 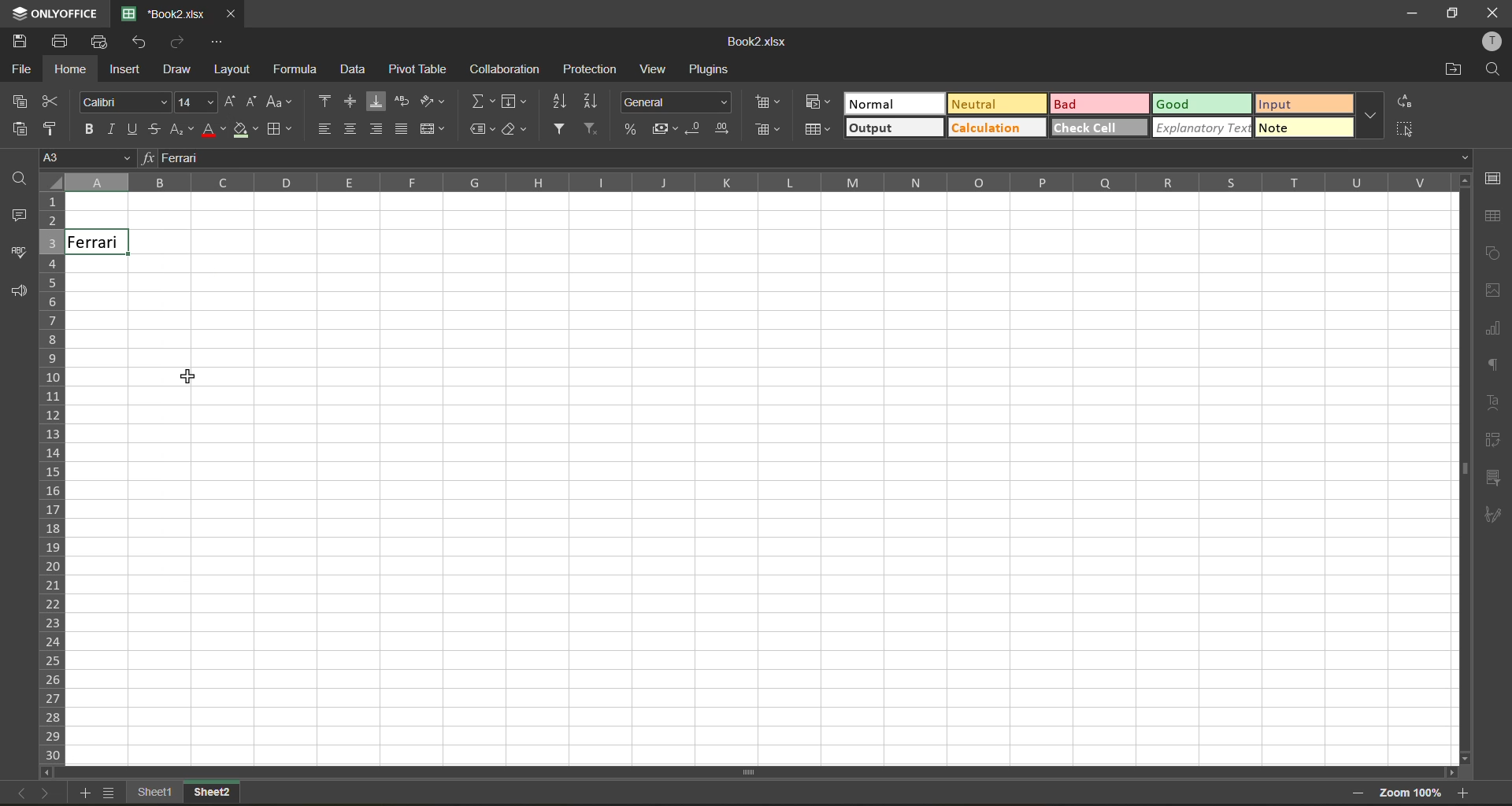 I want to click on align center, so click(x=349, y=128).